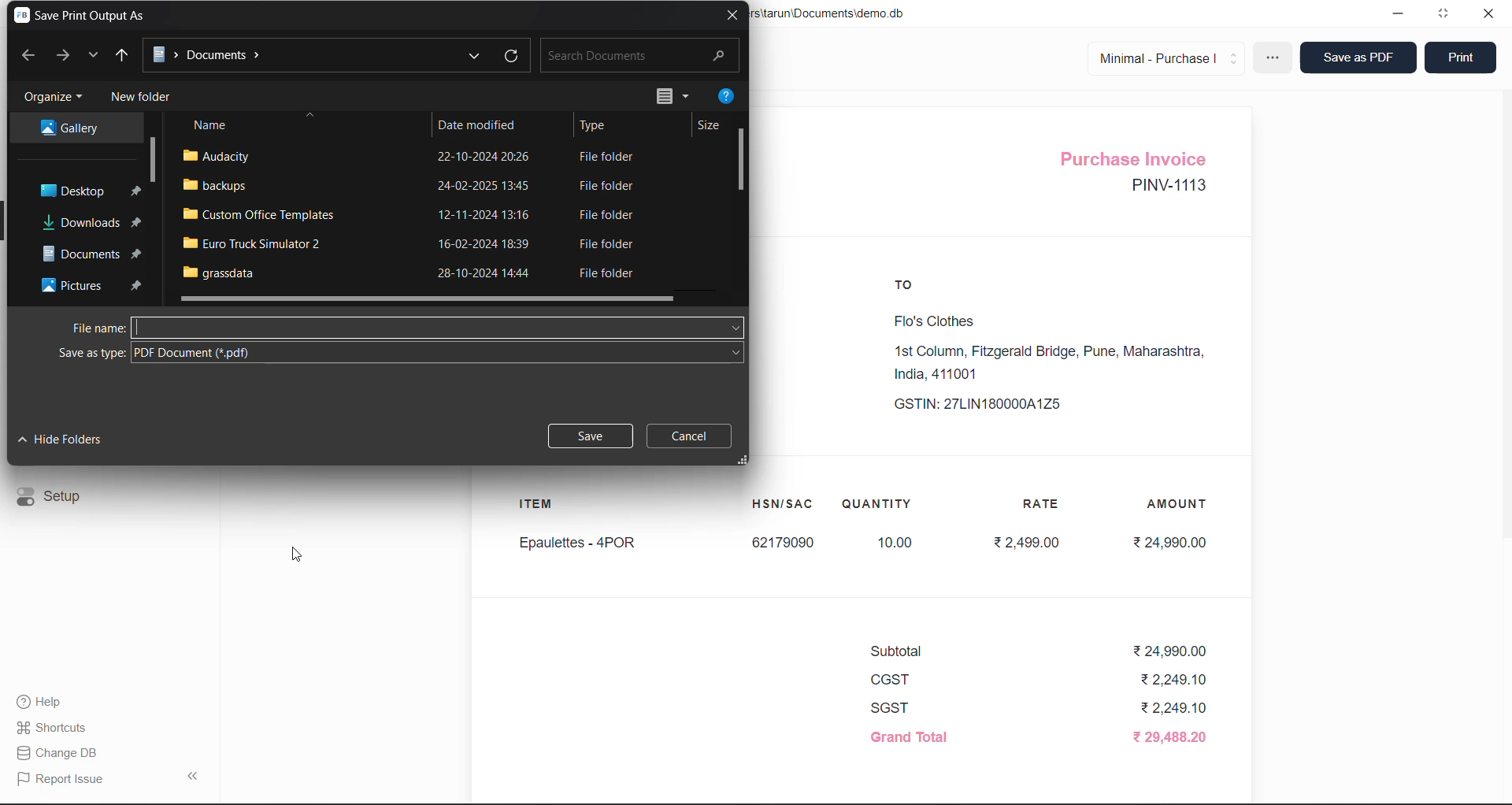 This screenshot has height=805, width=1512. What do you see at coordinates (91, 355) in the screenshot?
I see `Save as type:` at bounding box center [91, 355].